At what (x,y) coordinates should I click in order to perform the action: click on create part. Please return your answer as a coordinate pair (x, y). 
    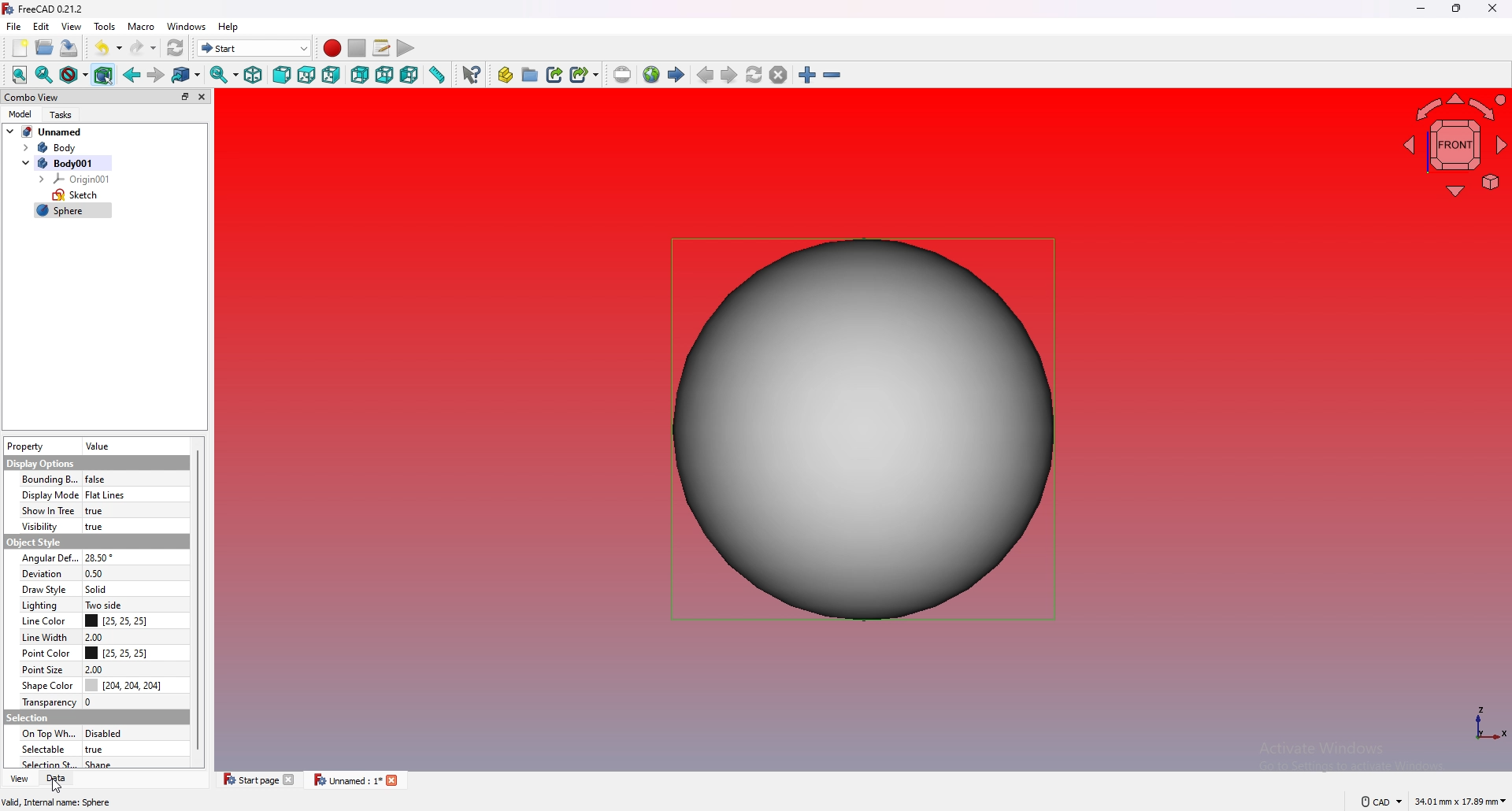
    Looking at the image, I should click on (506, 75).